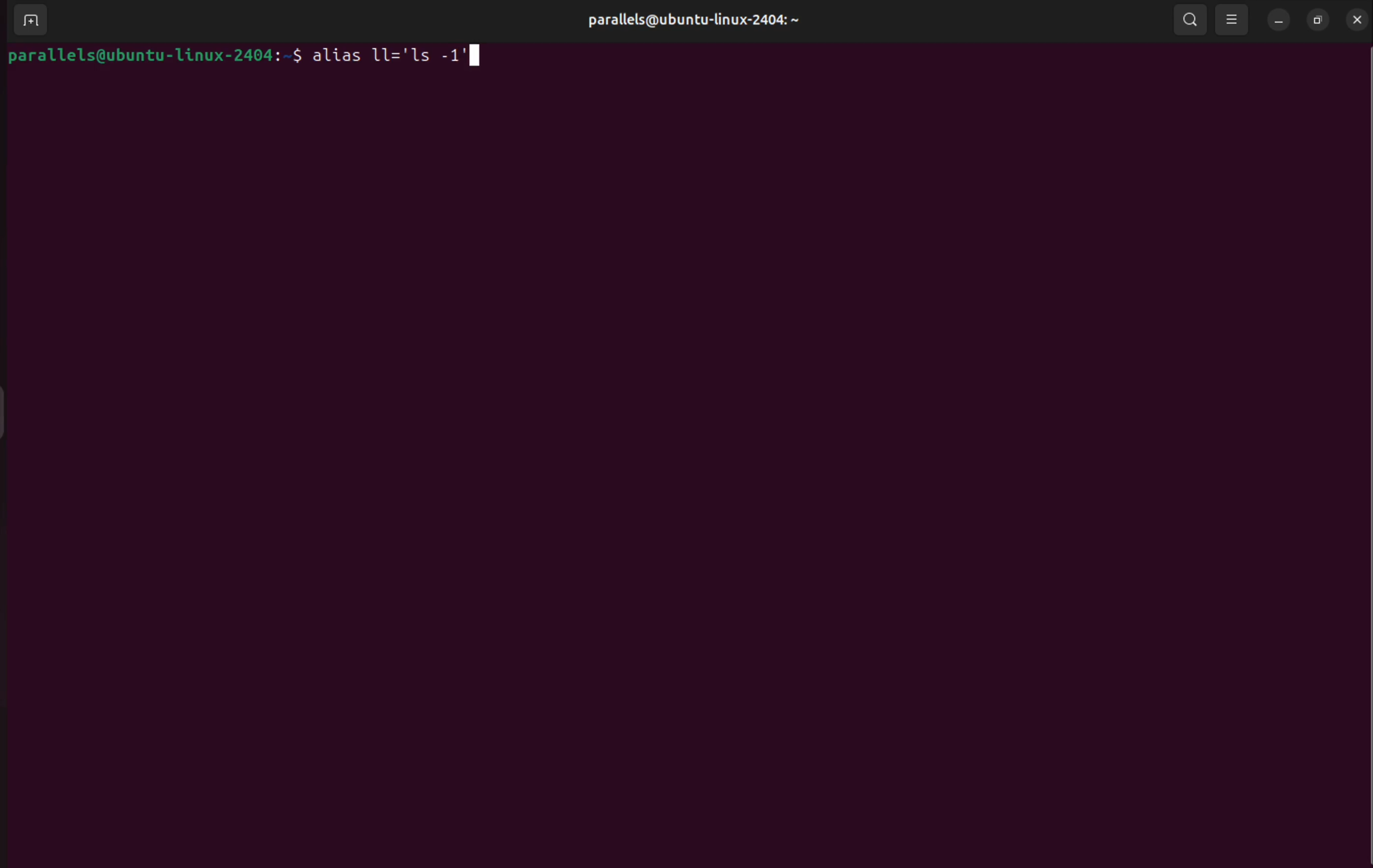 The image size is (1373, 868). What do you see at coordinates (1279, 22) in the screenshot?
I see `minimize` at bounding box center [1279, 22].